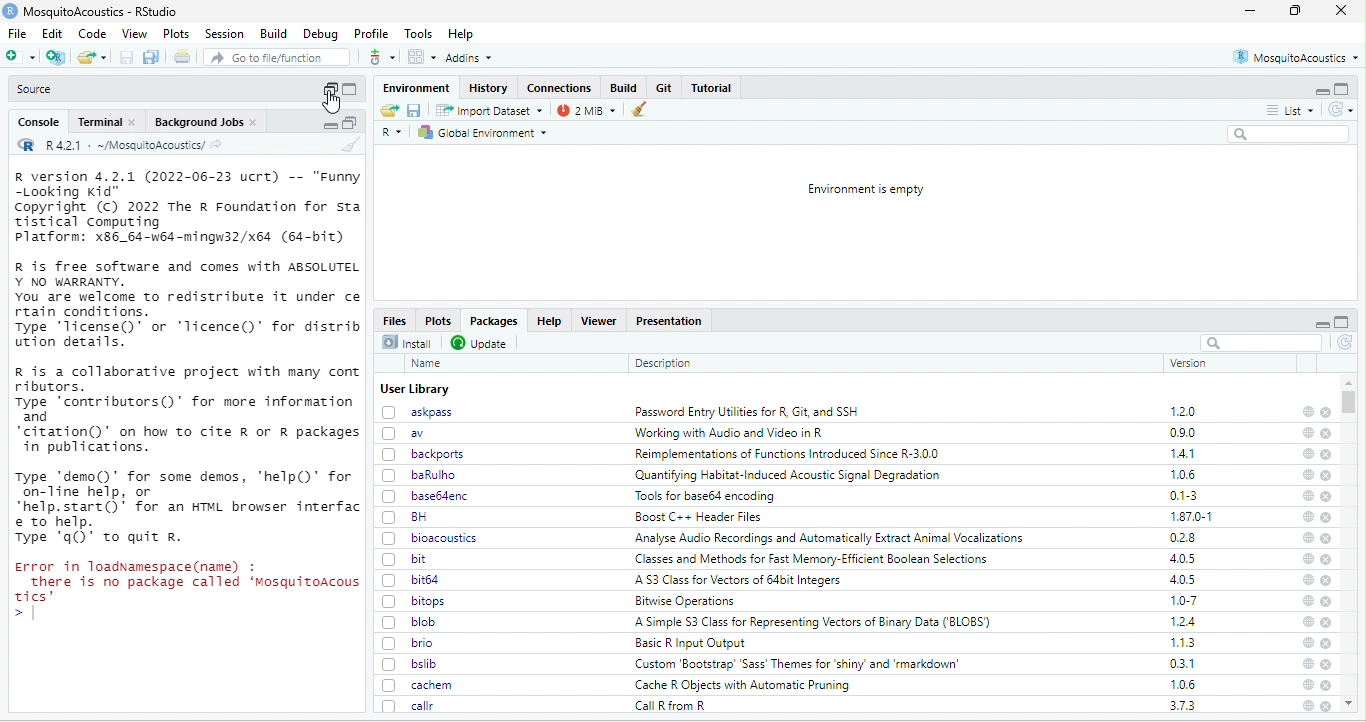  What do you see at coordinates (24, 56) in the screenshot?
I see `New file` at bounding box center [24, 56].